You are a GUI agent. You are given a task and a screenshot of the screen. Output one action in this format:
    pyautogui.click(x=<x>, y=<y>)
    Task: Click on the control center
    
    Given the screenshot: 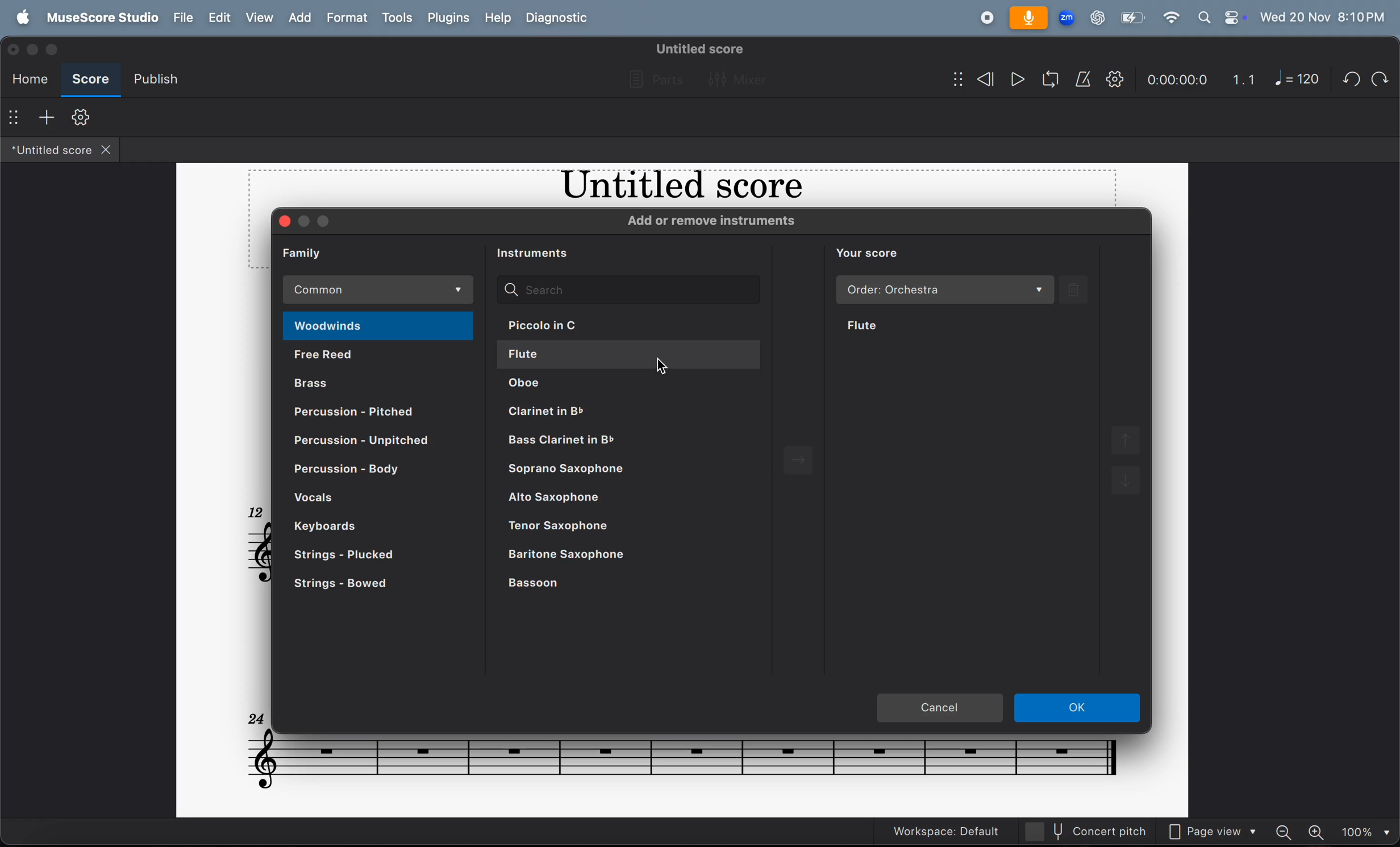 What is the action you would take?
    pyautogui.click(x=1233, y=16)
    